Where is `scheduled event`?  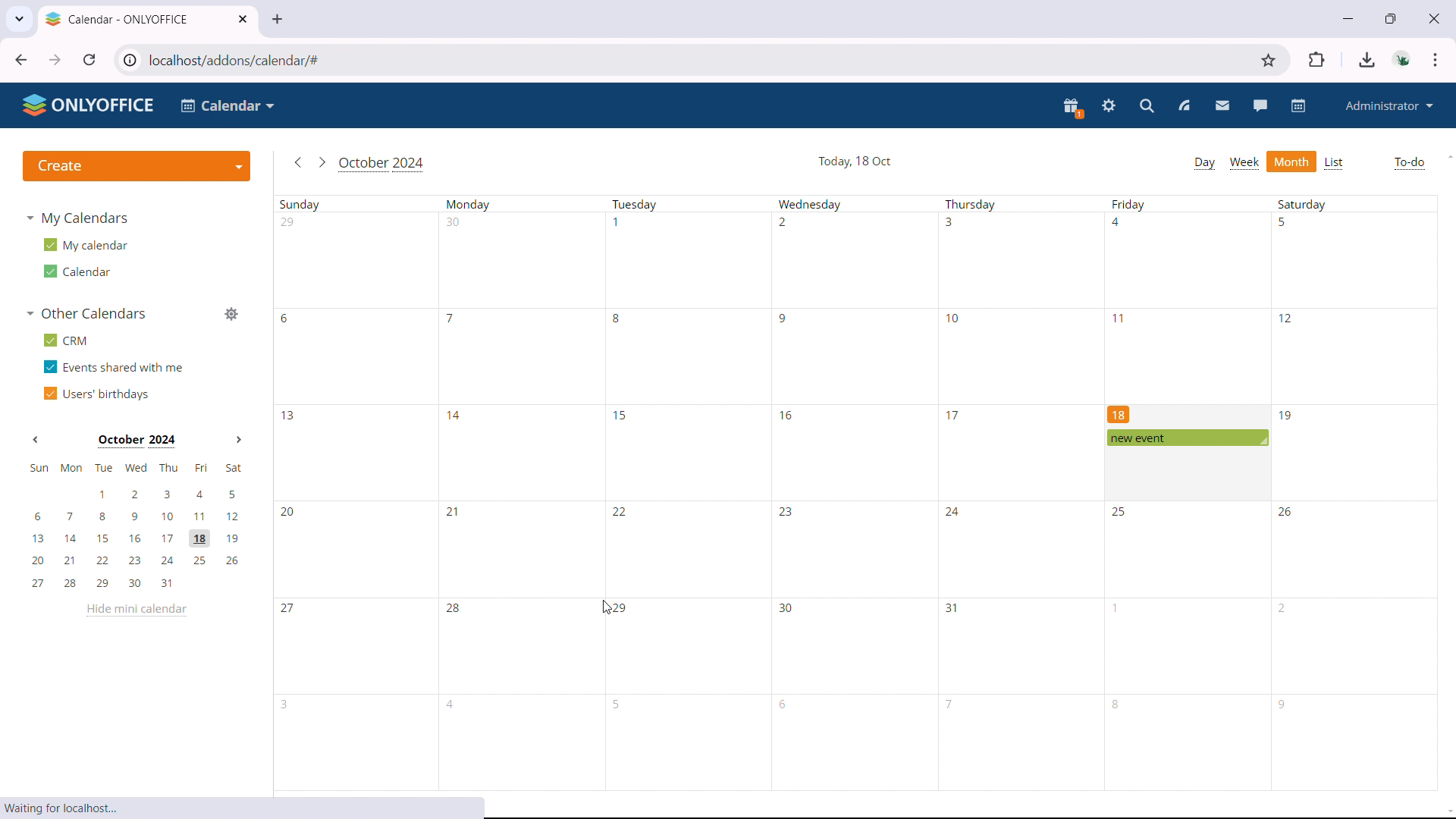
scheduled event is located at coordinates (1186, 438).